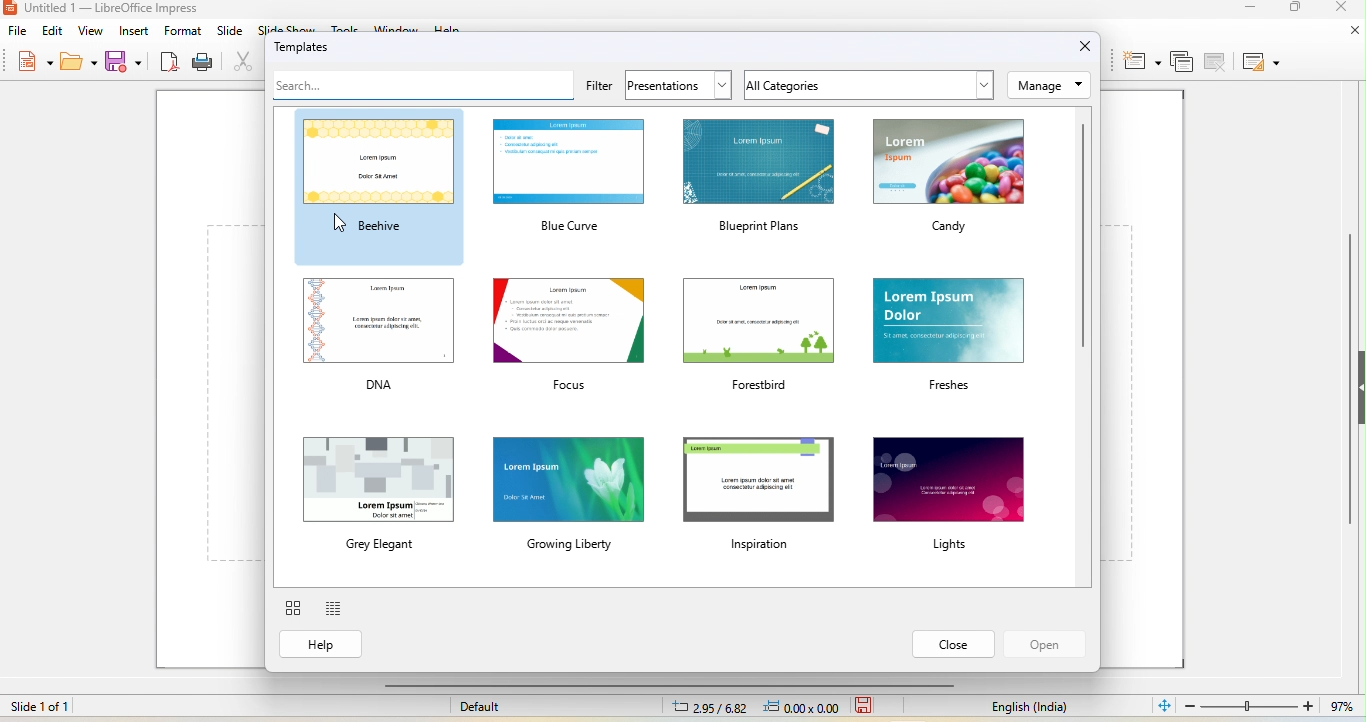 This screenshot has width=1366, height=722. What do you see at coordinates (133, 30) in the screenshot?
I see `insert` at bounding box center [133, 30].